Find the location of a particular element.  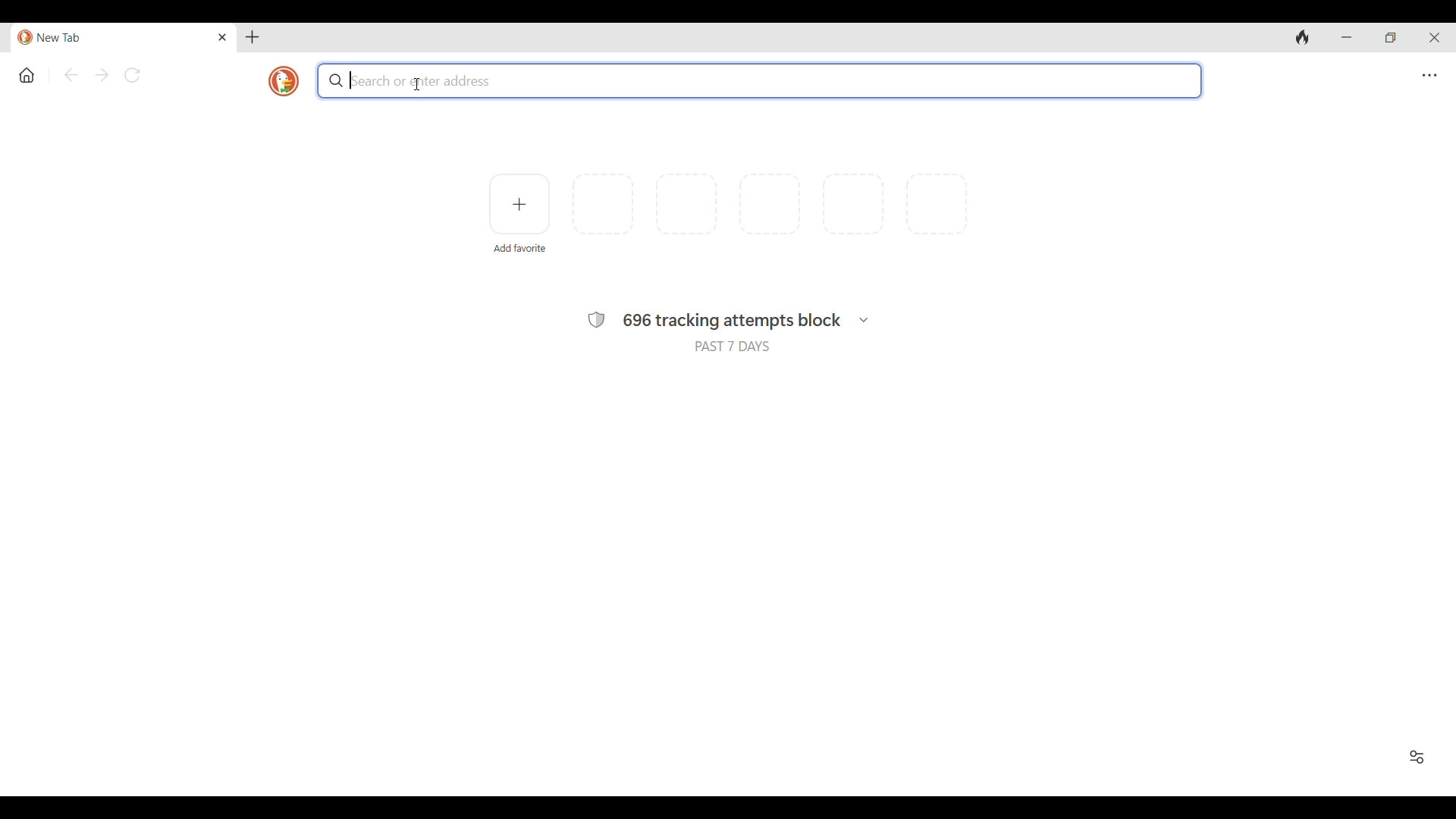

Go back is located at coordinates (71, 75).